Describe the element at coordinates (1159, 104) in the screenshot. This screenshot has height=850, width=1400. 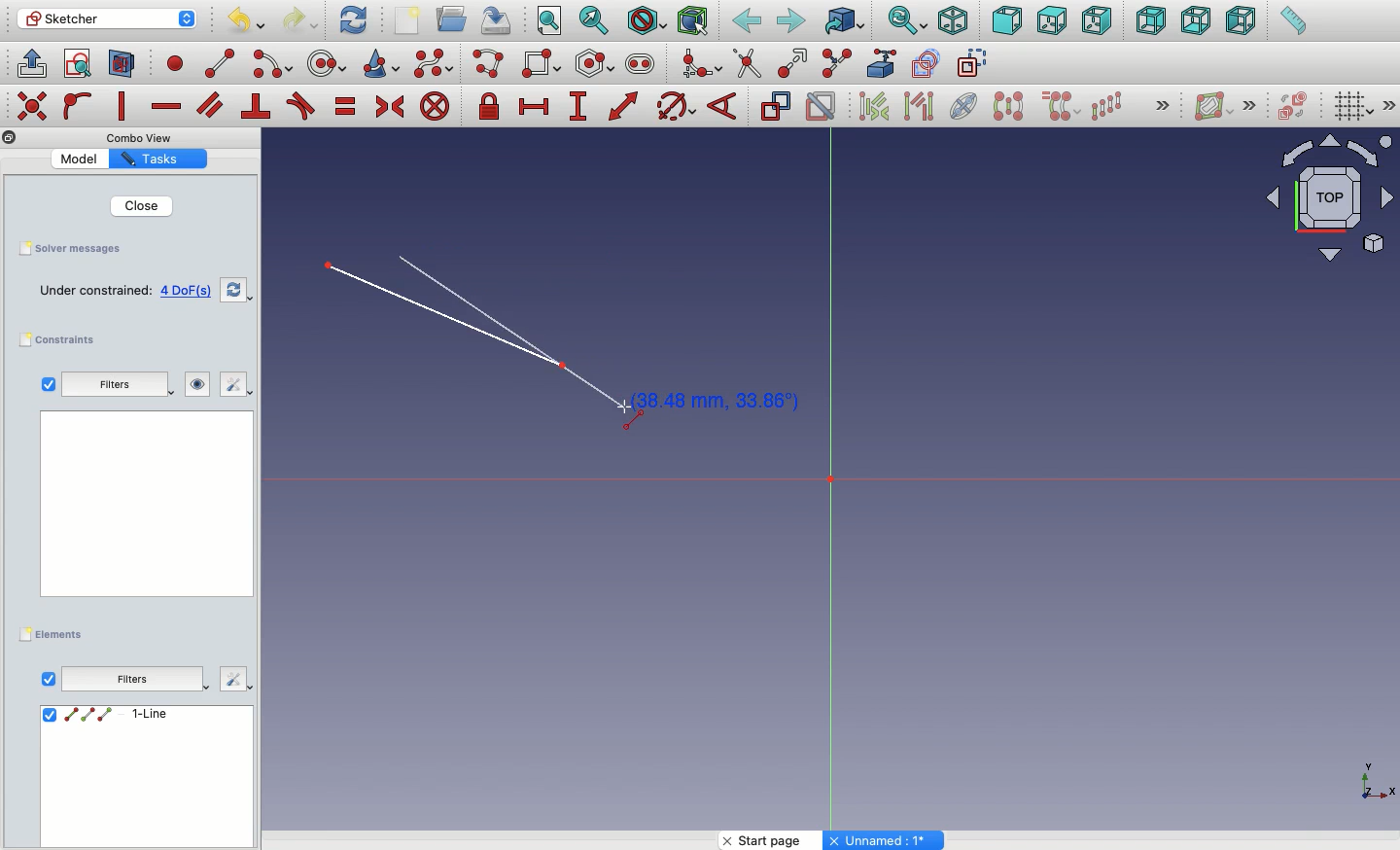
I see `` at that location.